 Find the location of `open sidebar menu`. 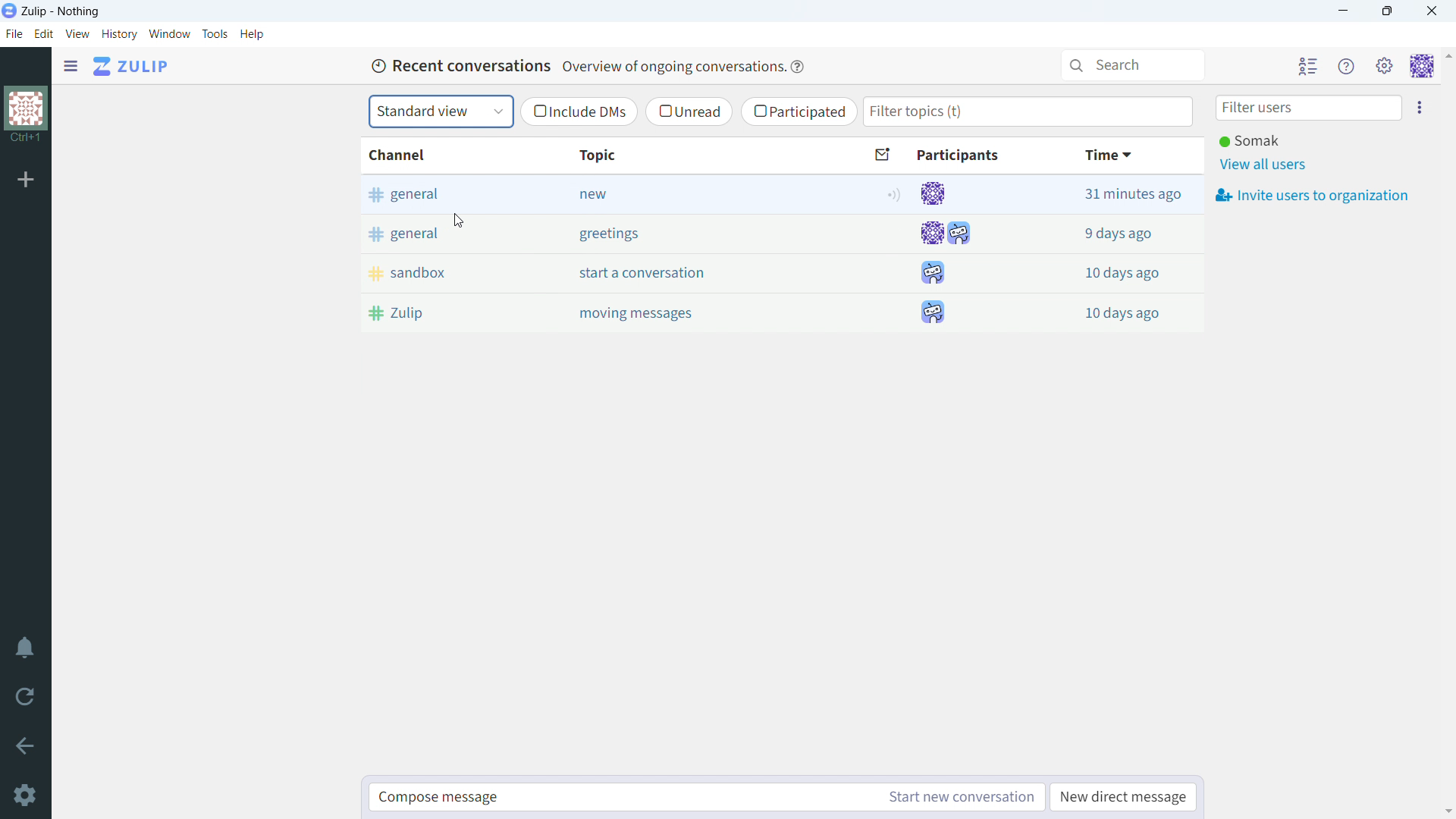

open sidebar menu is located at coordinates (71, 66).